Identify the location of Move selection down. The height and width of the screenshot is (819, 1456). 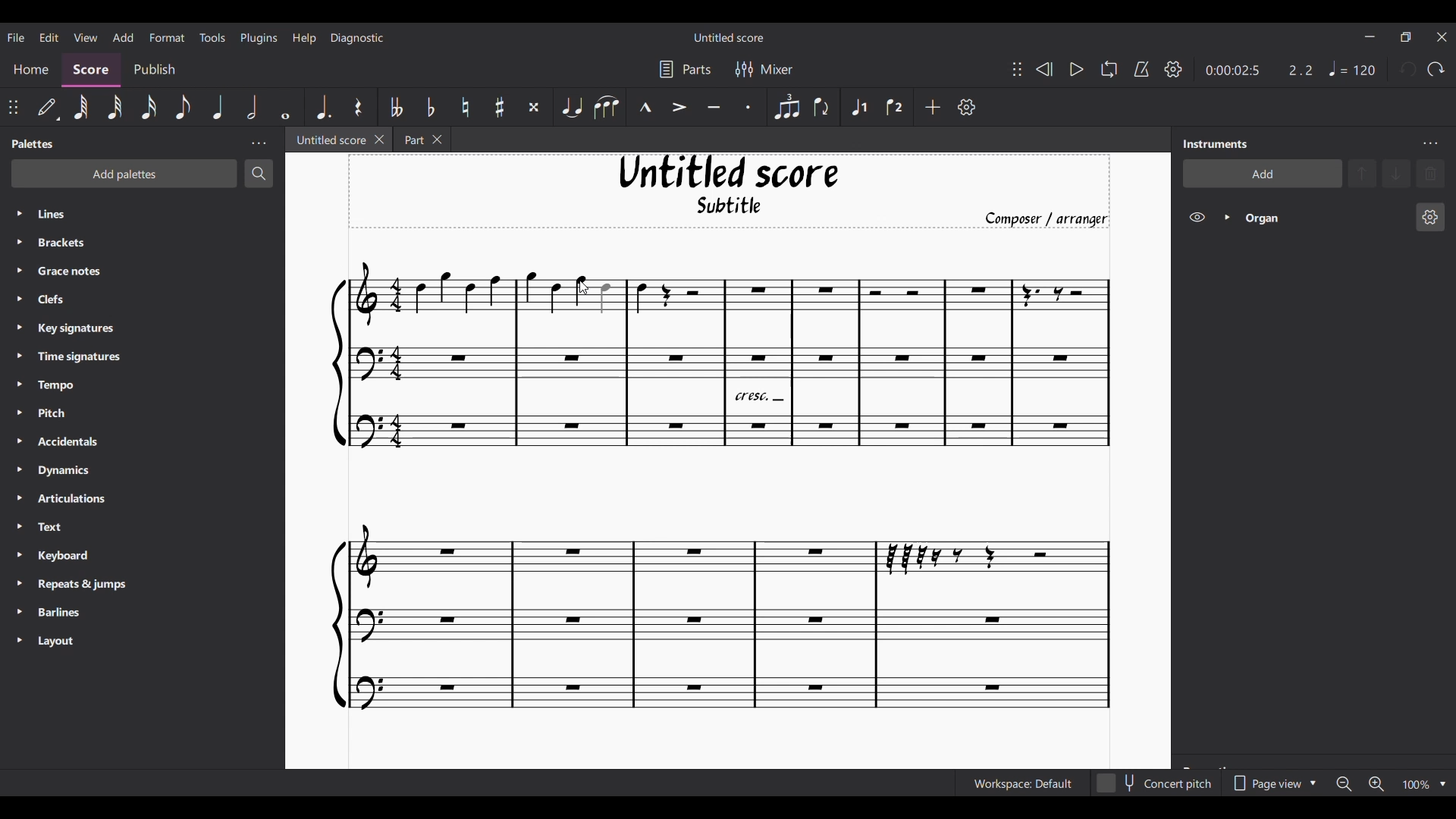
(1396, 173).